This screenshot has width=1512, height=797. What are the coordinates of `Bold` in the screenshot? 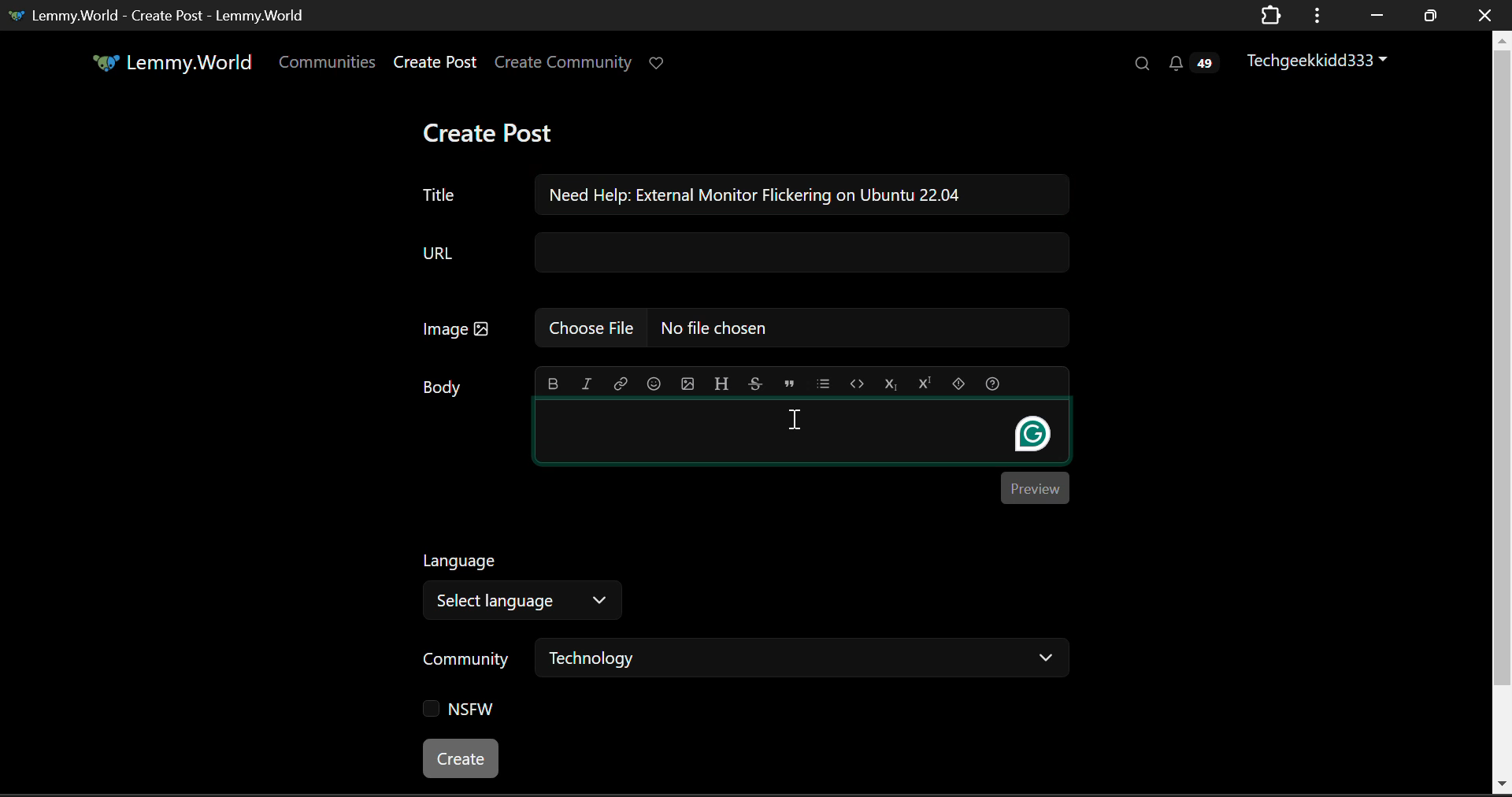 It's located at (552, 384).